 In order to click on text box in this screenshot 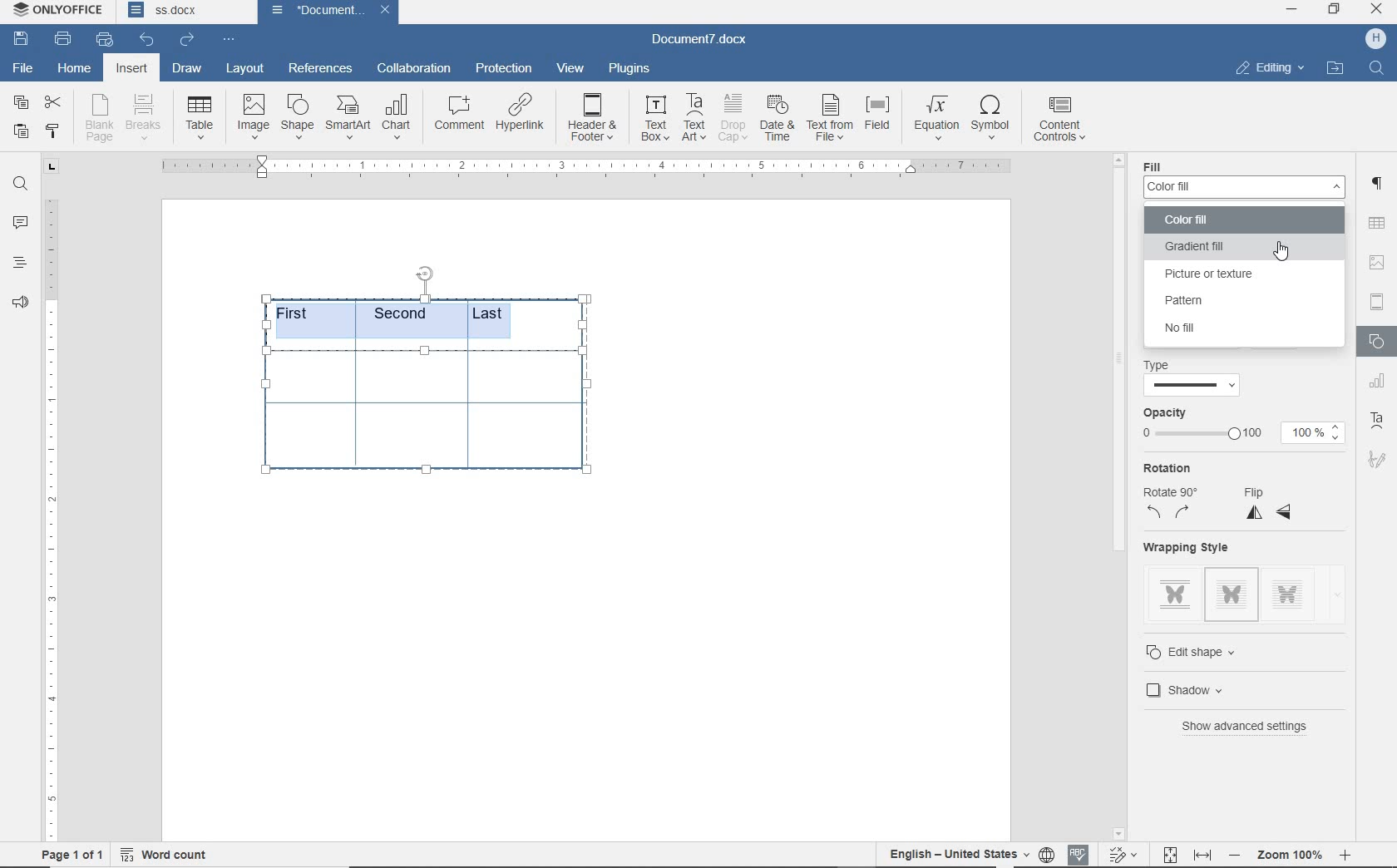, I will do `click(654, 118)`.